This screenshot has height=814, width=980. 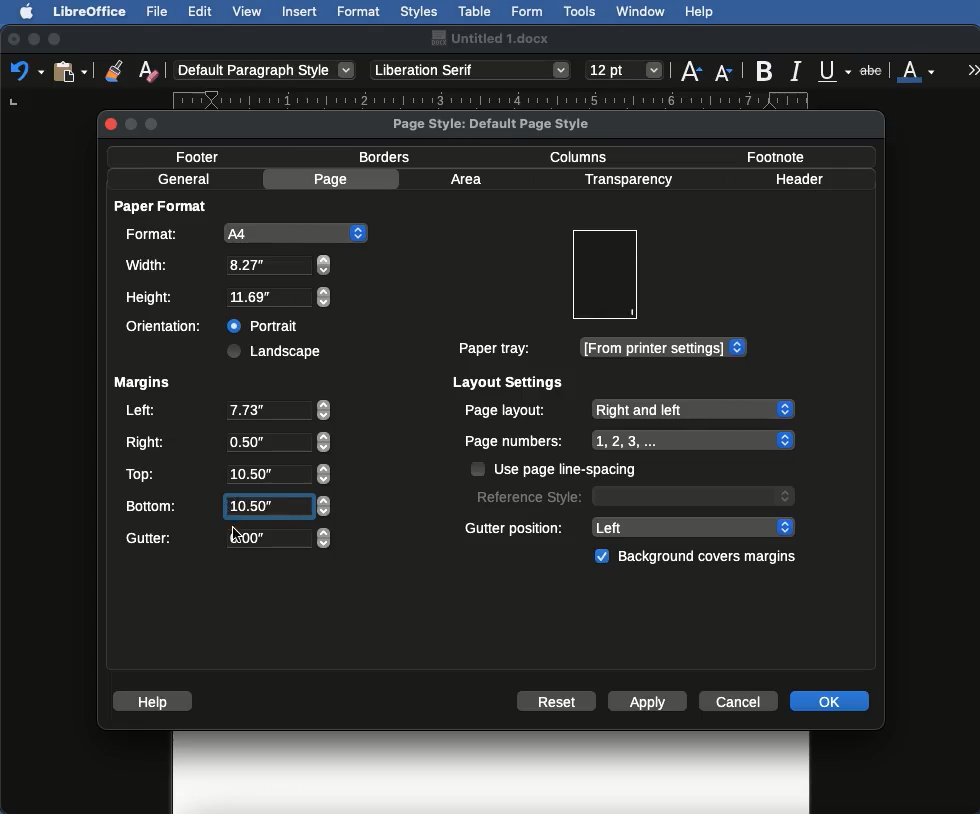 I want to click on Insert, so click(x=300, y=11).